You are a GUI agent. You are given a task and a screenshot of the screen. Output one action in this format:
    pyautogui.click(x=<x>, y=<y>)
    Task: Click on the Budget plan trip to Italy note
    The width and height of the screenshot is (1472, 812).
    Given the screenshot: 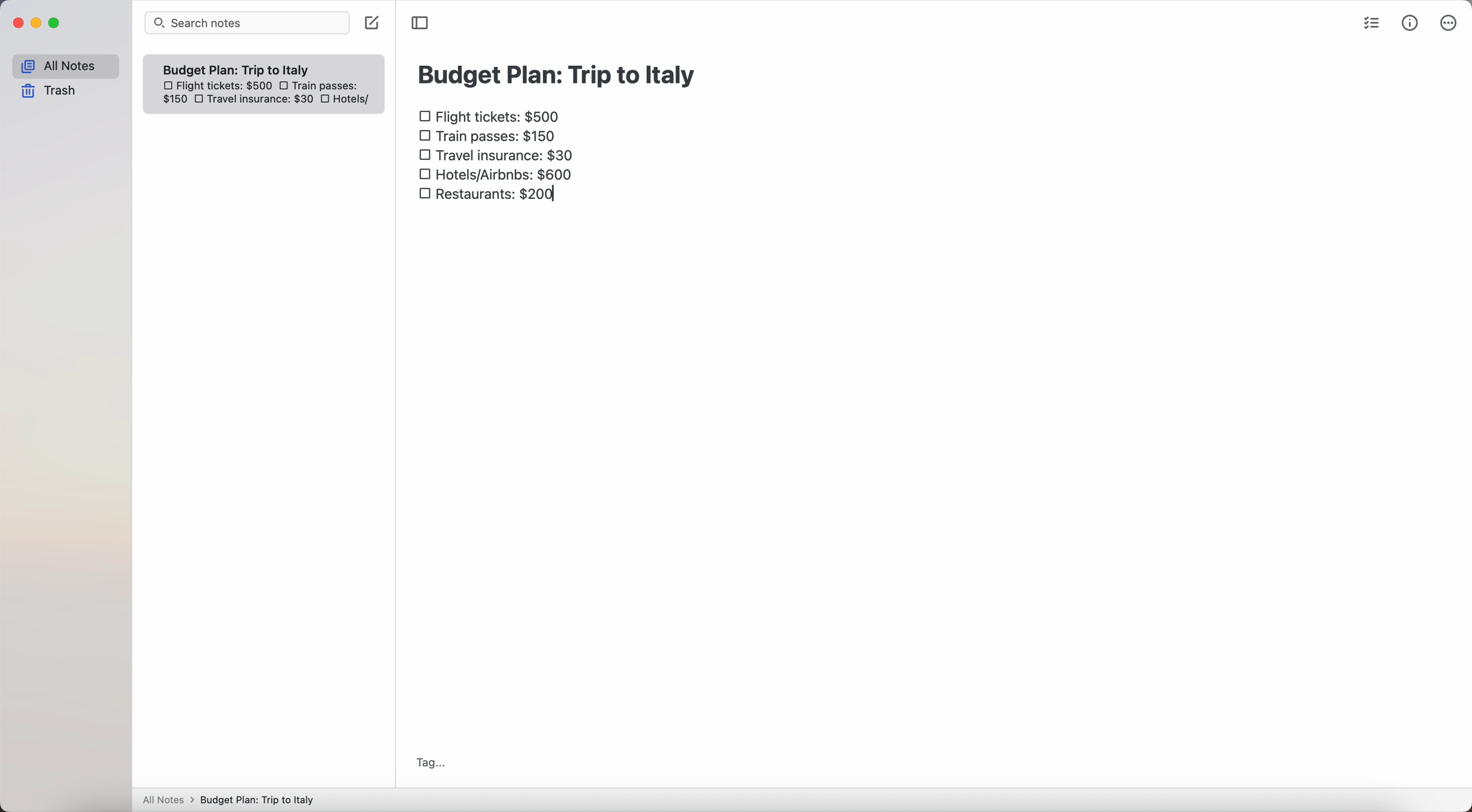 What is the action you would take?
    pyautogui.click(x=238, y=69)
    